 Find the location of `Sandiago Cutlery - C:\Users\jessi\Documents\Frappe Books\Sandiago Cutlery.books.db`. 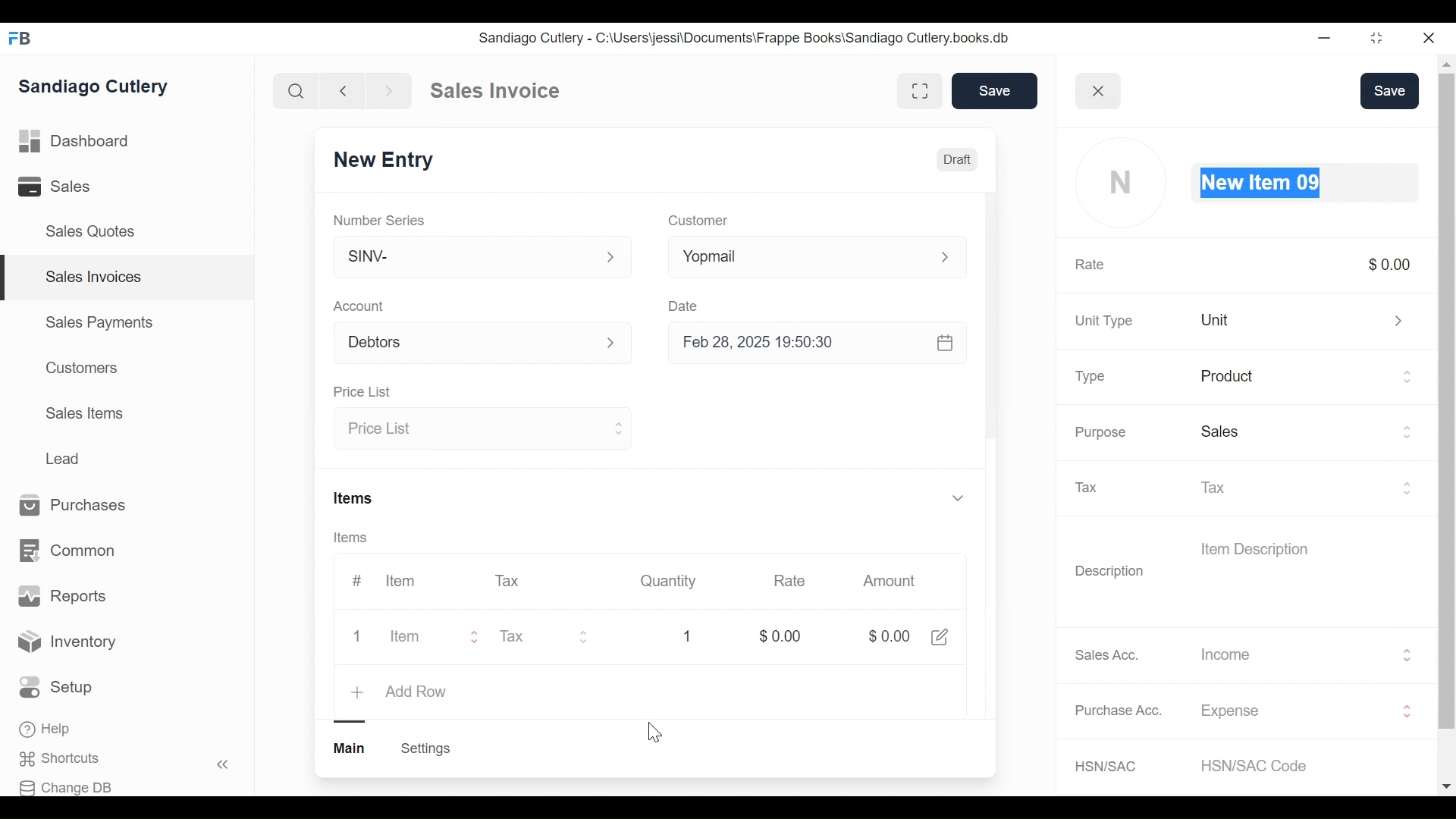

Sandiago Cutlery - C:\Users\jessi\Documents\Frappe Books\Sandiago Cutlery.books.db is located at coordinates (742, 37).